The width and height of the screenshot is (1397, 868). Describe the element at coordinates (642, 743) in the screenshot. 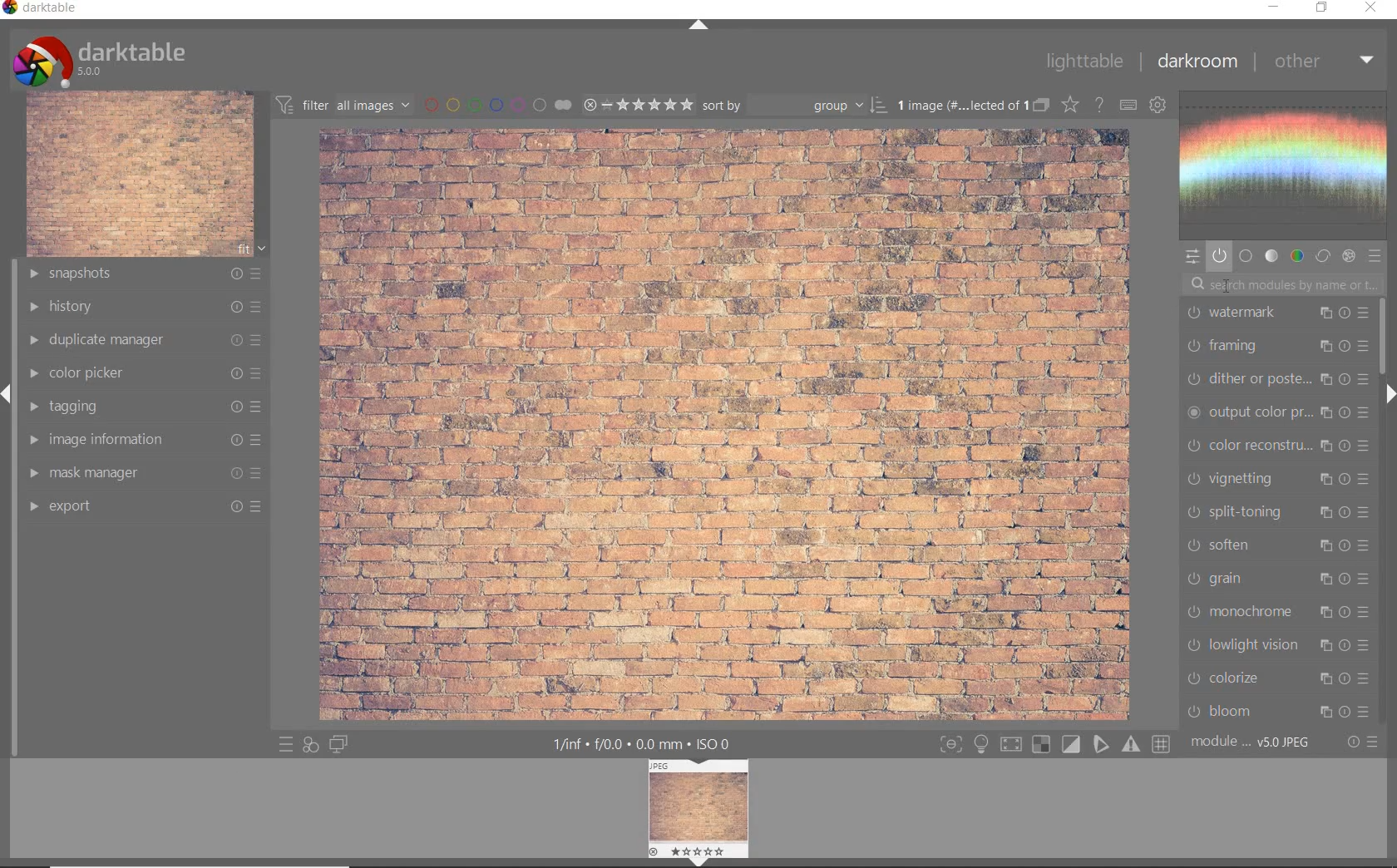

I see `1/inf f/0.0 0.0 mm ISO 0` at that location.